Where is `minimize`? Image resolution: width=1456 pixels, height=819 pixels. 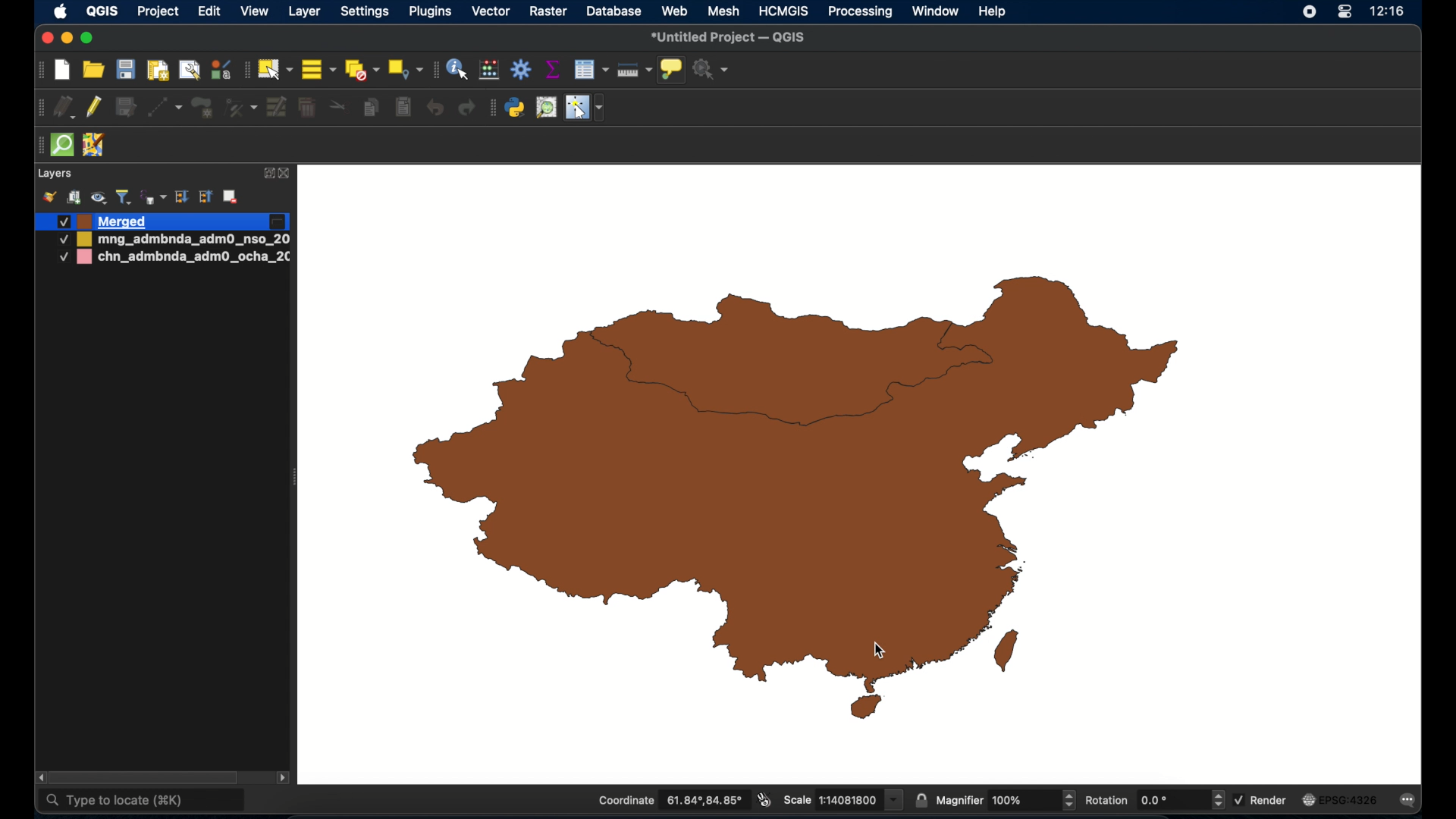
minimize is located at coordinates (66, 39).